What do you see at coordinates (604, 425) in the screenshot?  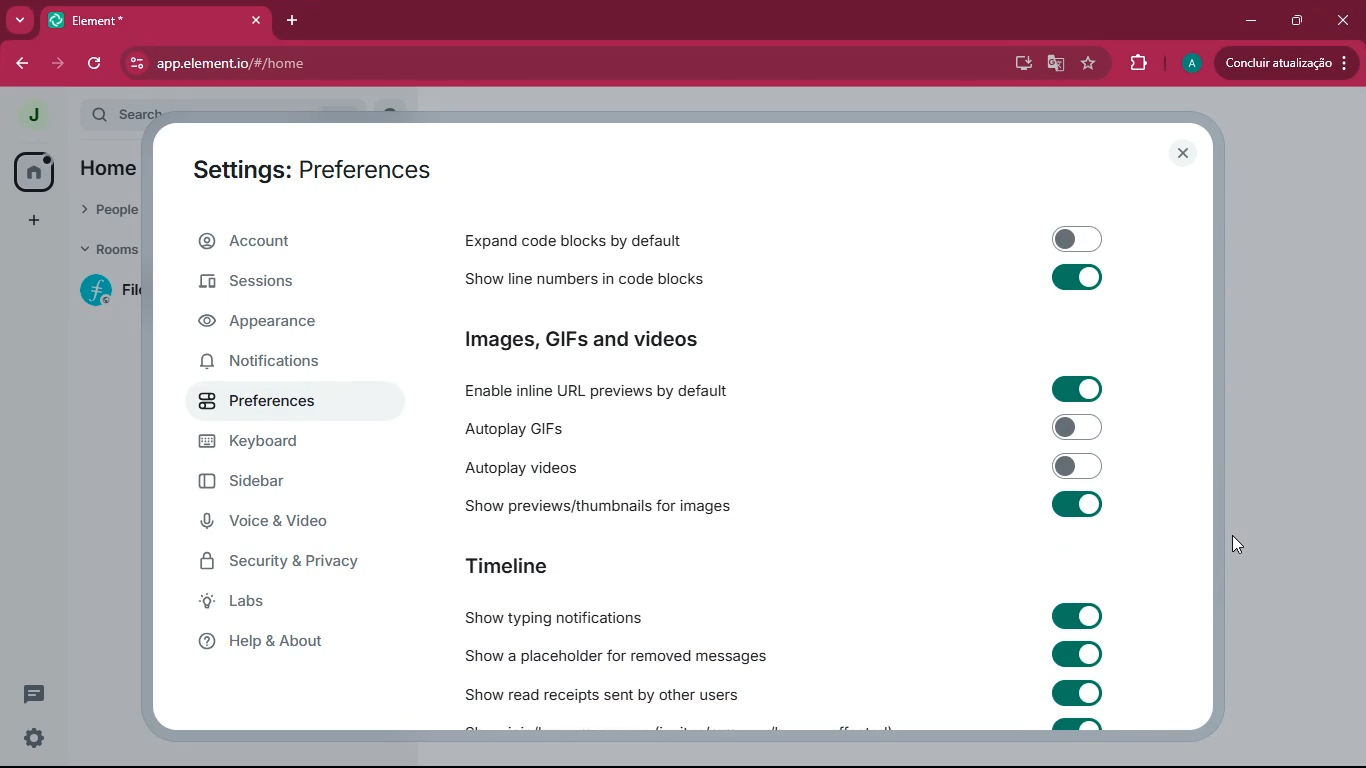 I see `autoplay GIFs` at bounding box center [604, 425].